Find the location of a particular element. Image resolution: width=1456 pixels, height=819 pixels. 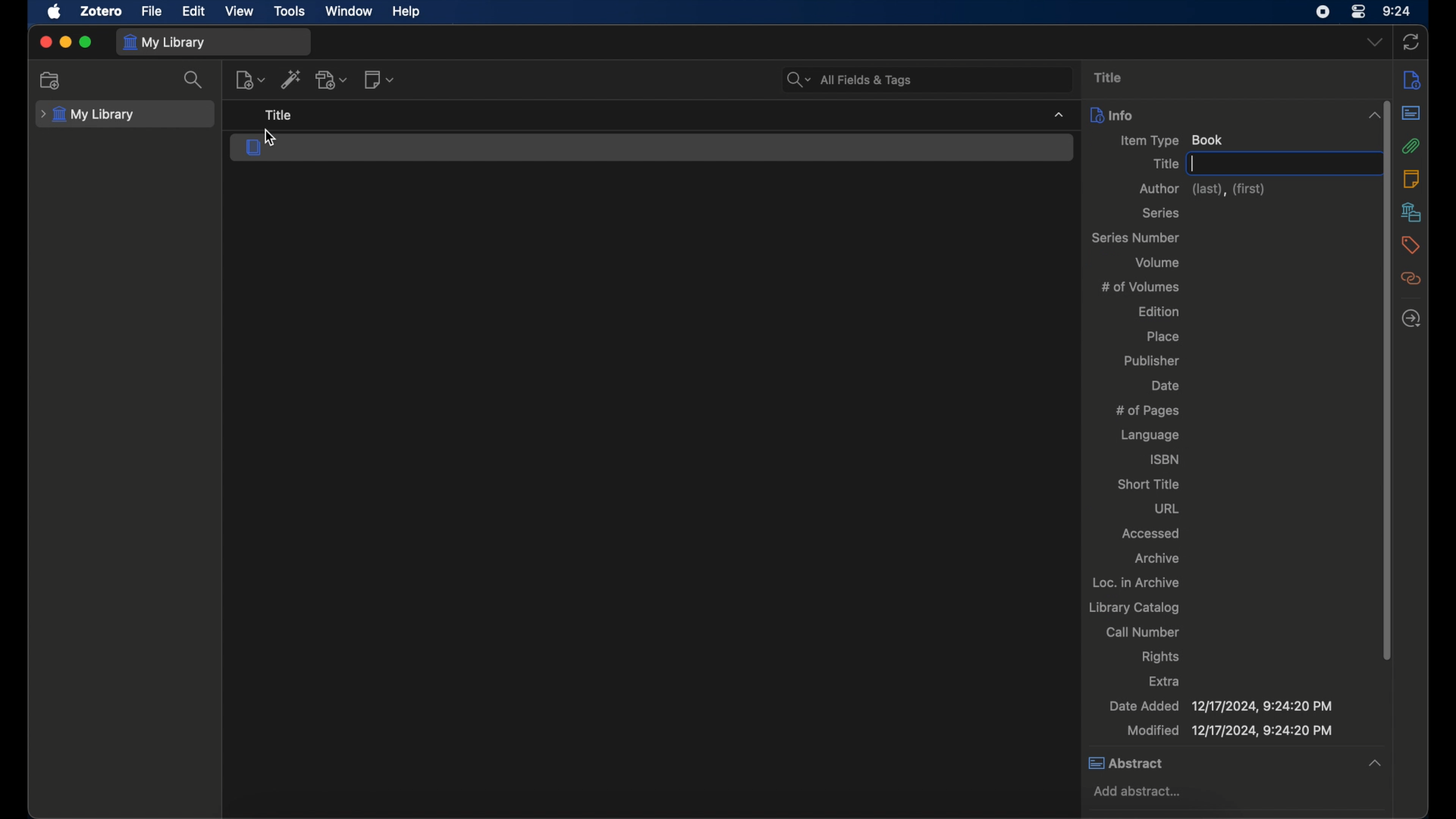

extra is located at coordinates (1165, 680).